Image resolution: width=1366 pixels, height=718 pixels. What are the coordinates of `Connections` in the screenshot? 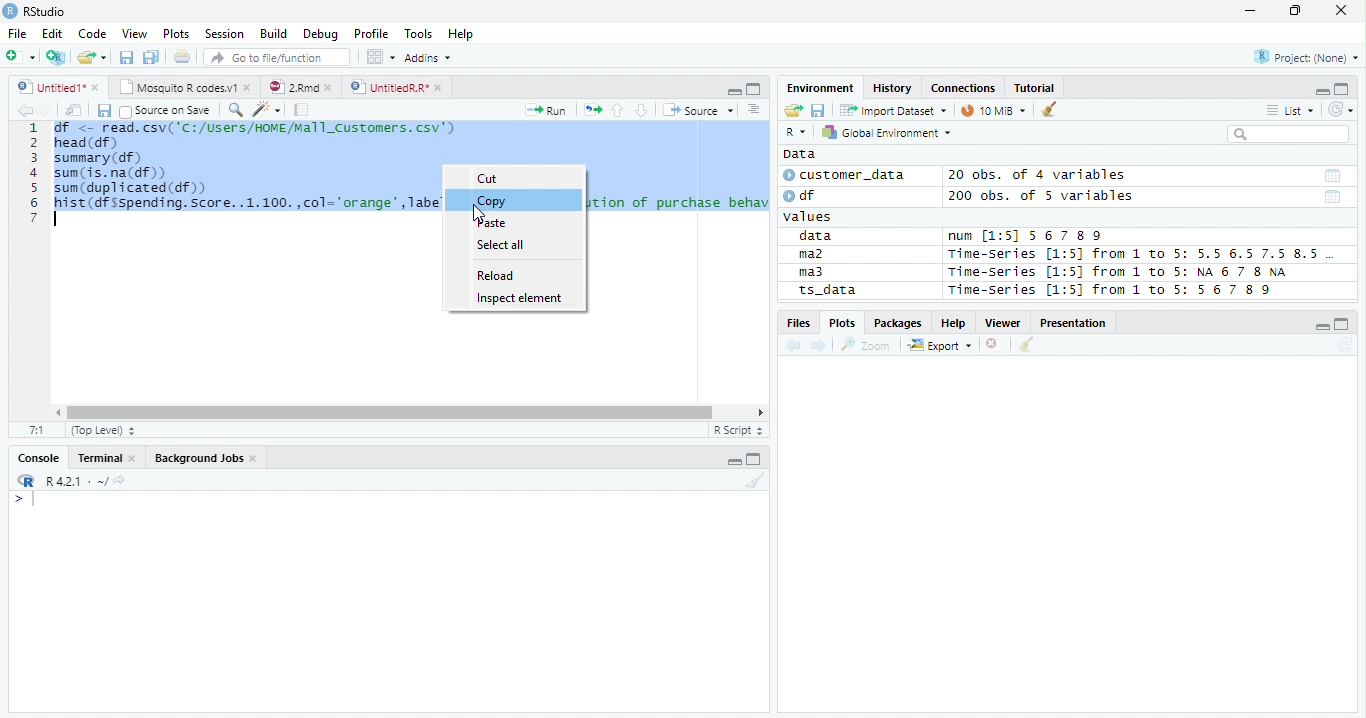 It's located at (963, 88).